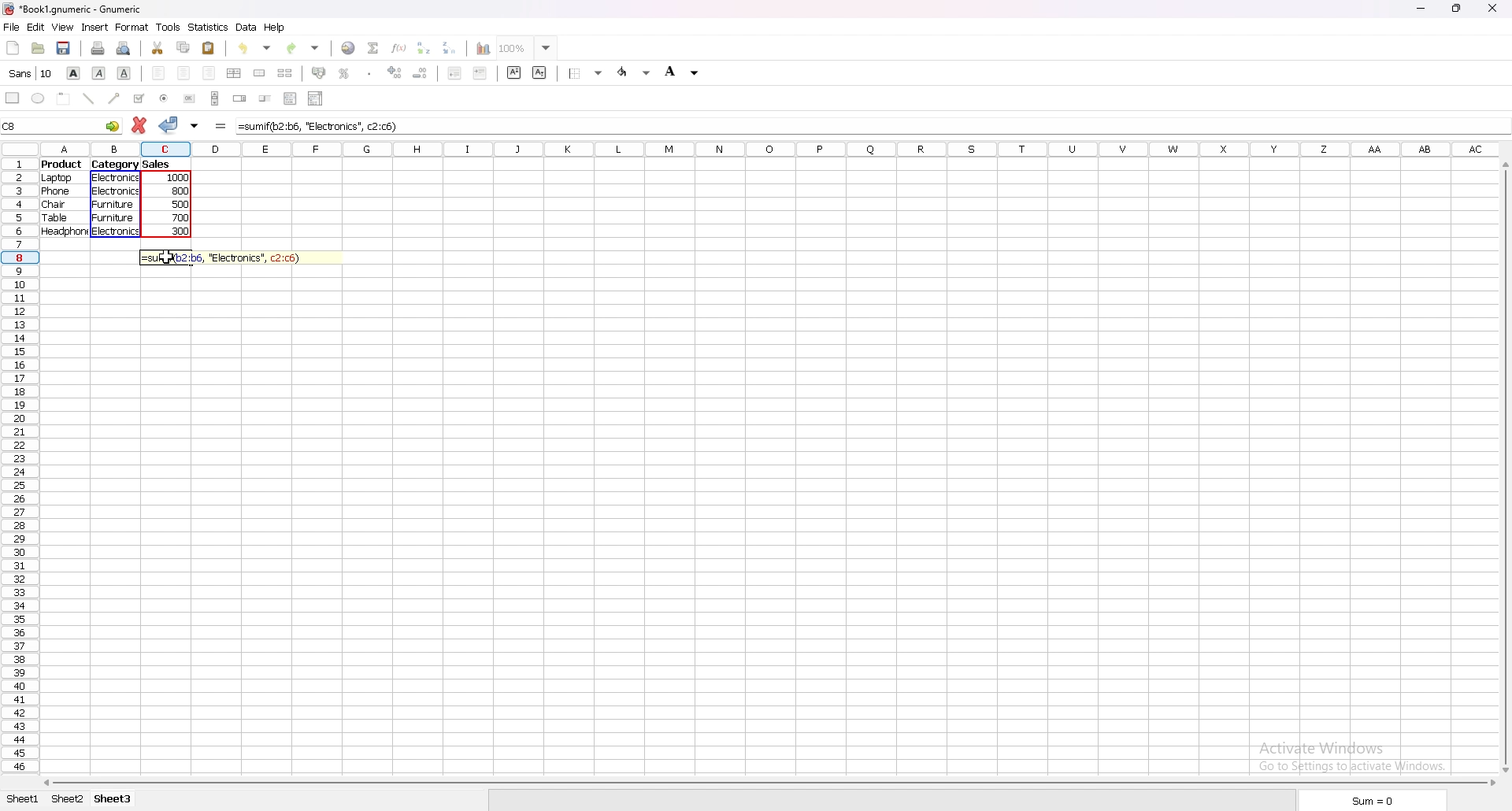  I want to click on bold, so click(76, 73).